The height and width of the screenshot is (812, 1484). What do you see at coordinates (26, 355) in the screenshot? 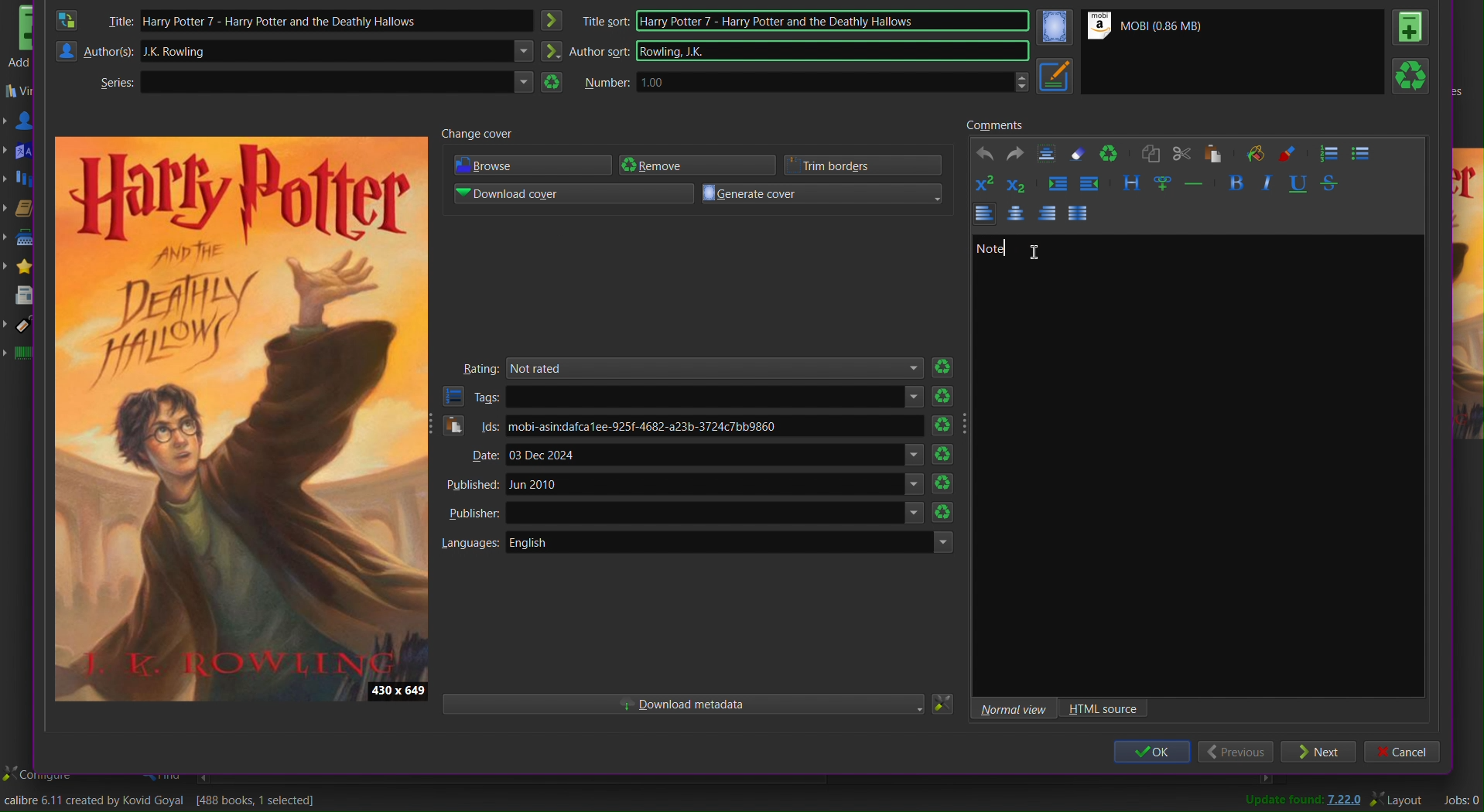
I see `Identifiers` at bounding box center [26, 355].